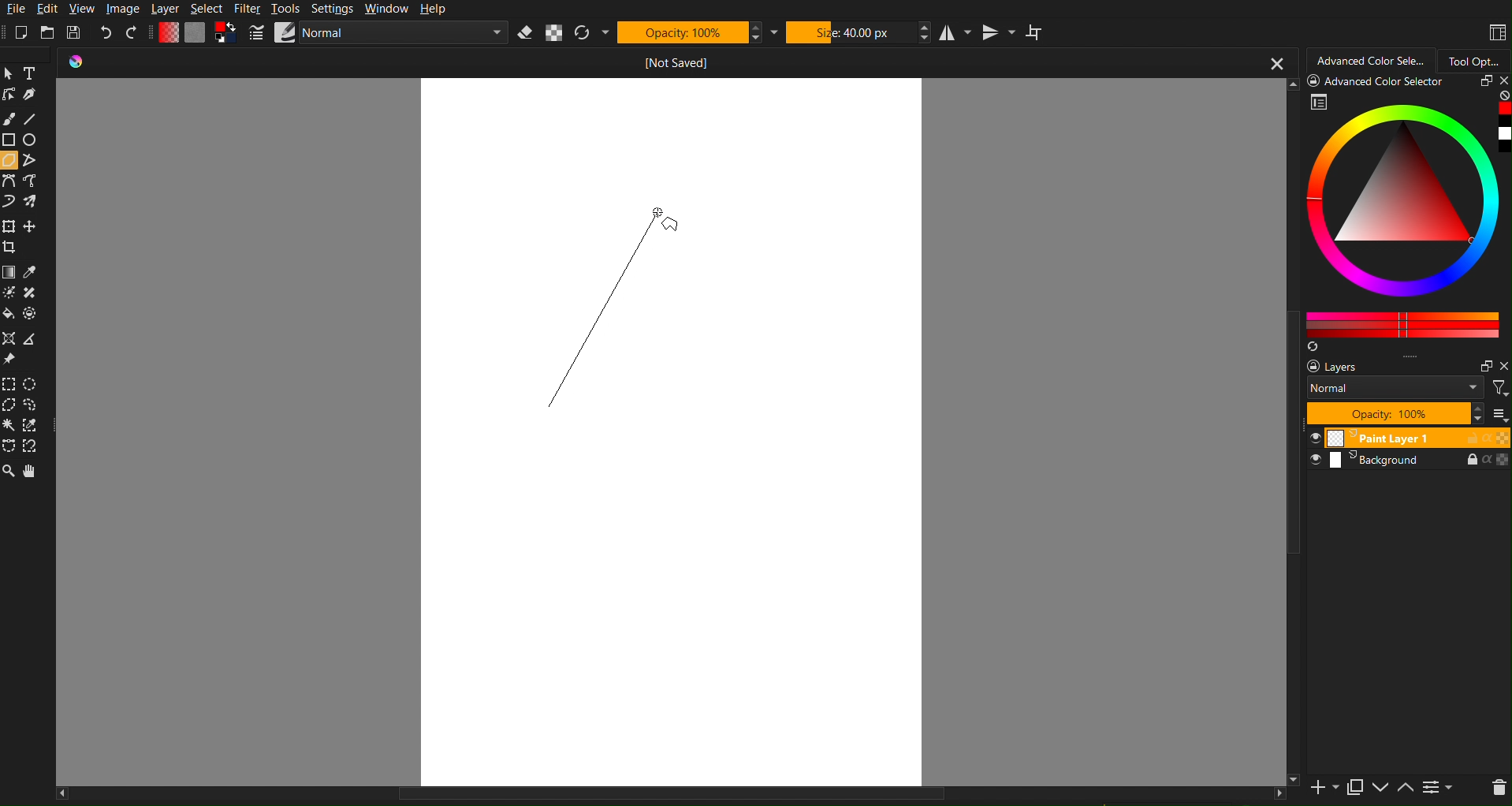  I want to click on Edit, so click(47, 9).